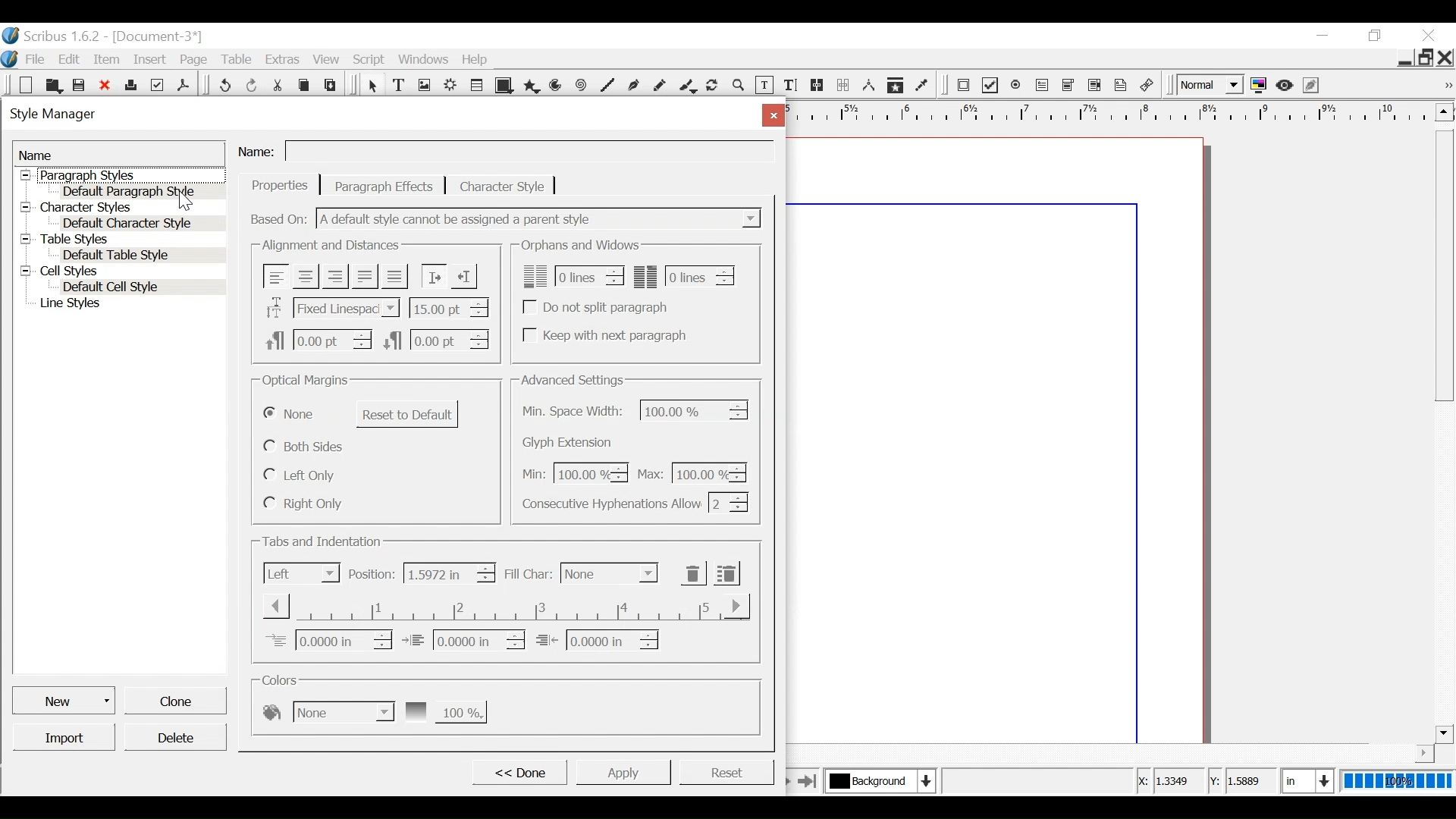 Image resolution: width=1456 pixels, height=819 pixels. What do you see at coordinates (1095, 85) in the screenshot?
I see `PDF List Box` at bounding box center [1095, 85].